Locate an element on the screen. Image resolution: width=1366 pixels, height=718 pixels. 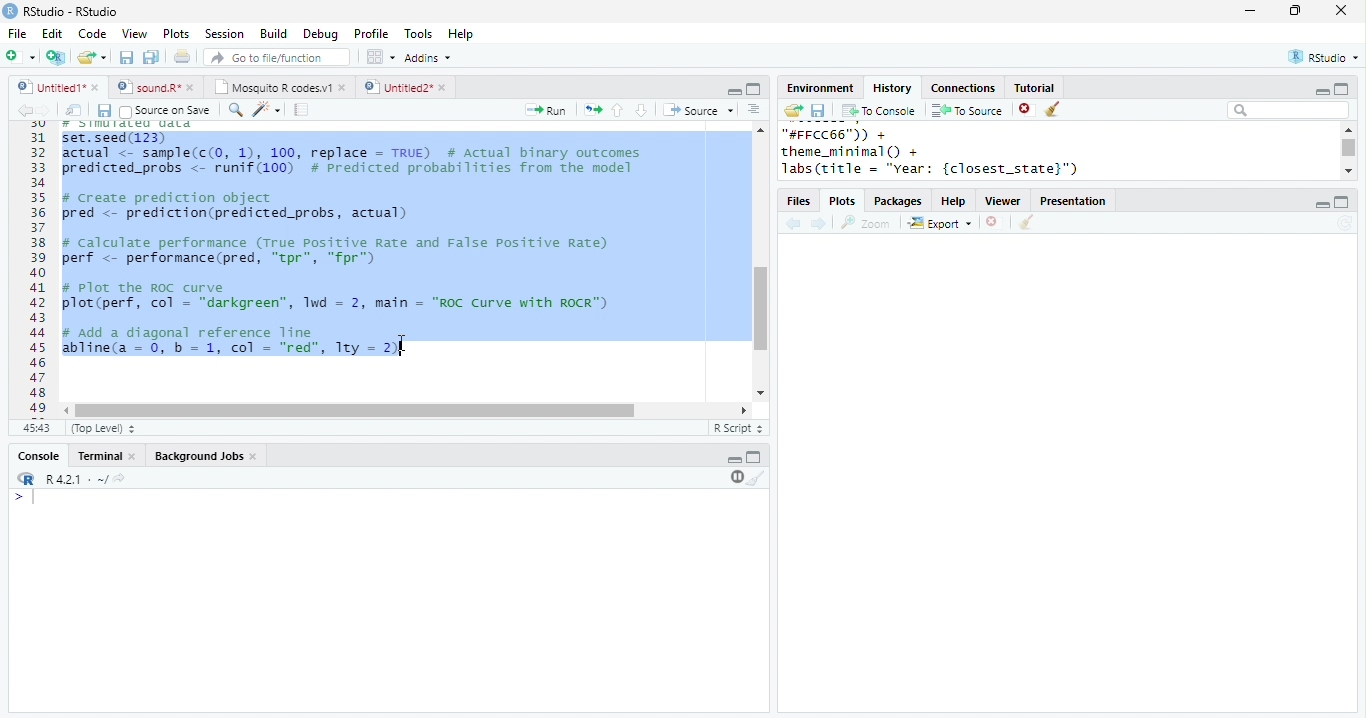
# calculate performance (True Positive Rate and False Positive Rate)
perf <- performance(pred, “tpr", “fpr") is located at coordinates (334, 251).